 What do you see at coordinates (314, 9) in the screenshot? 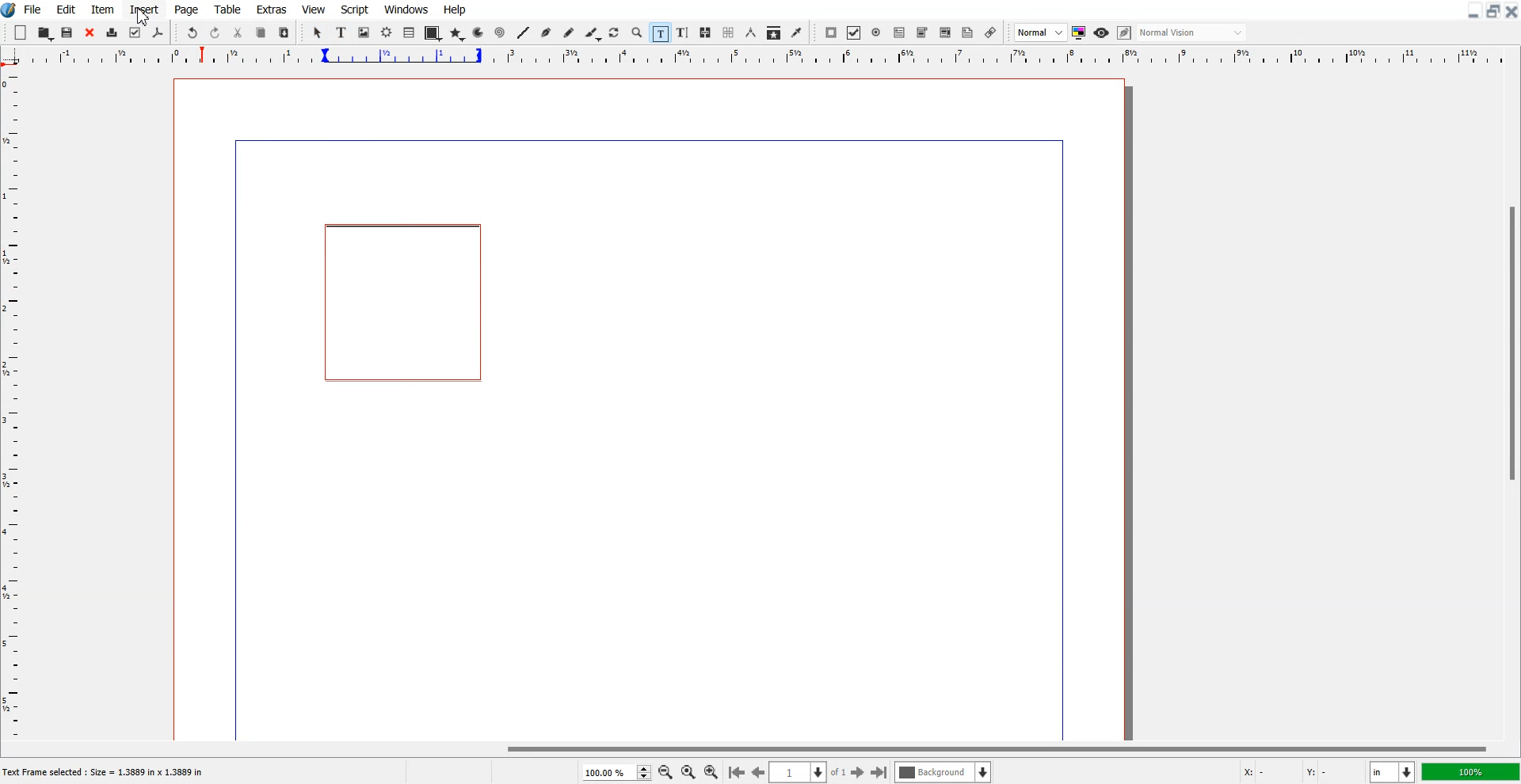
I see `View` at bounding box center [314, 9].